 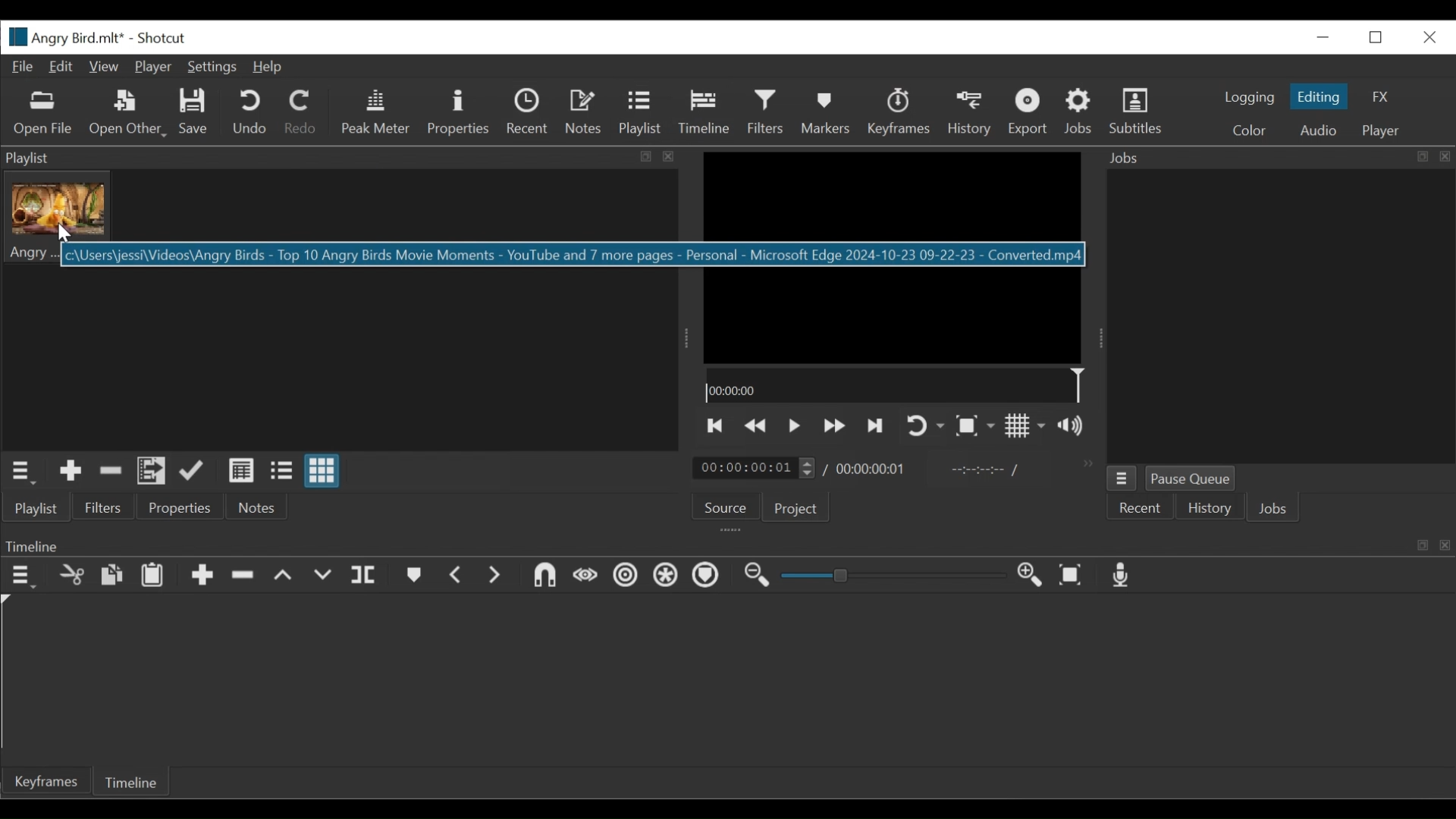 What do you see at coordinates (102, 507) in the screenshot?
I see `Filters` at bounding box center [102, 507].